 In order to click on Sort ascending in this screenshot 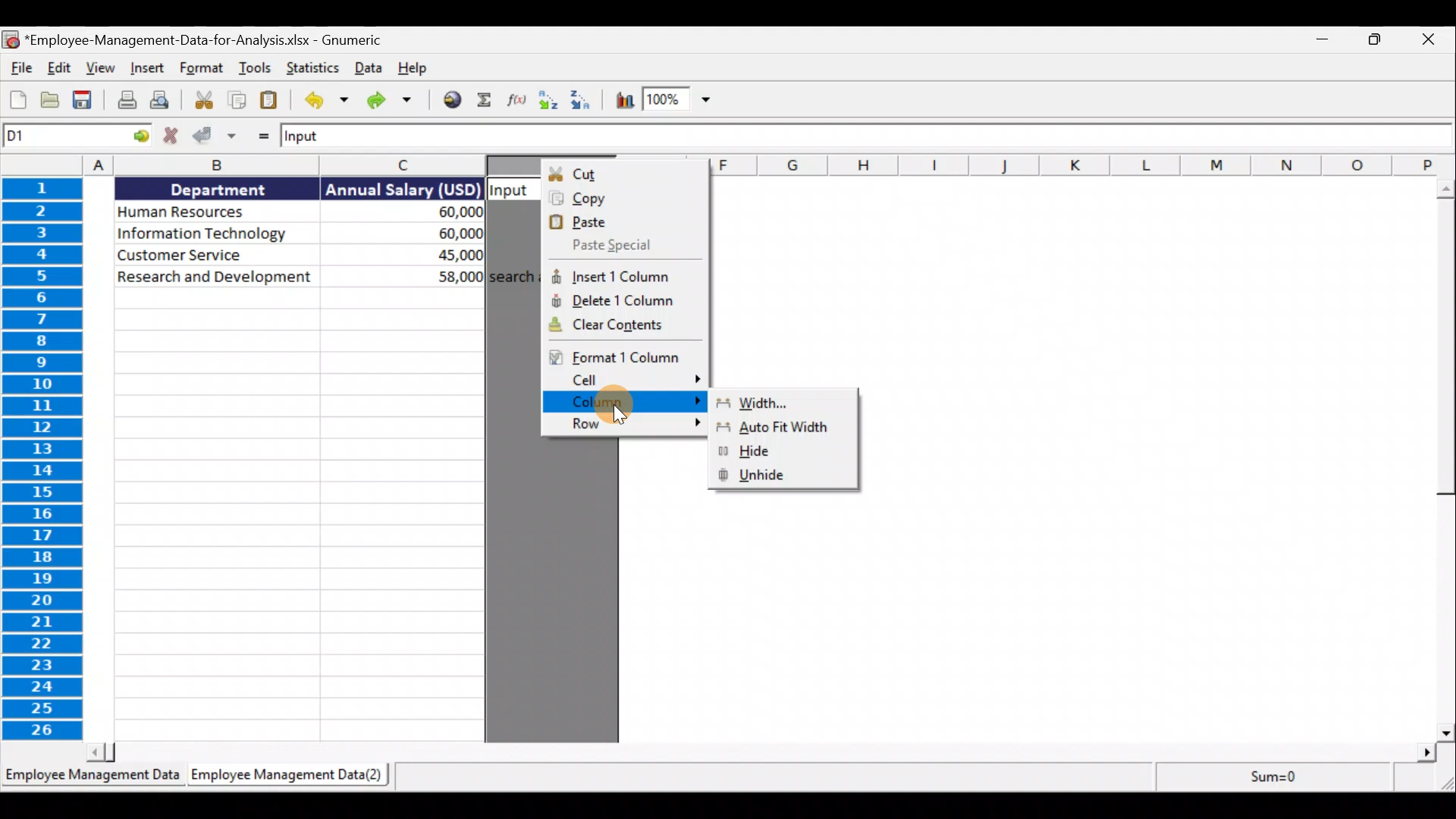, I will do `click(545, 102)`.